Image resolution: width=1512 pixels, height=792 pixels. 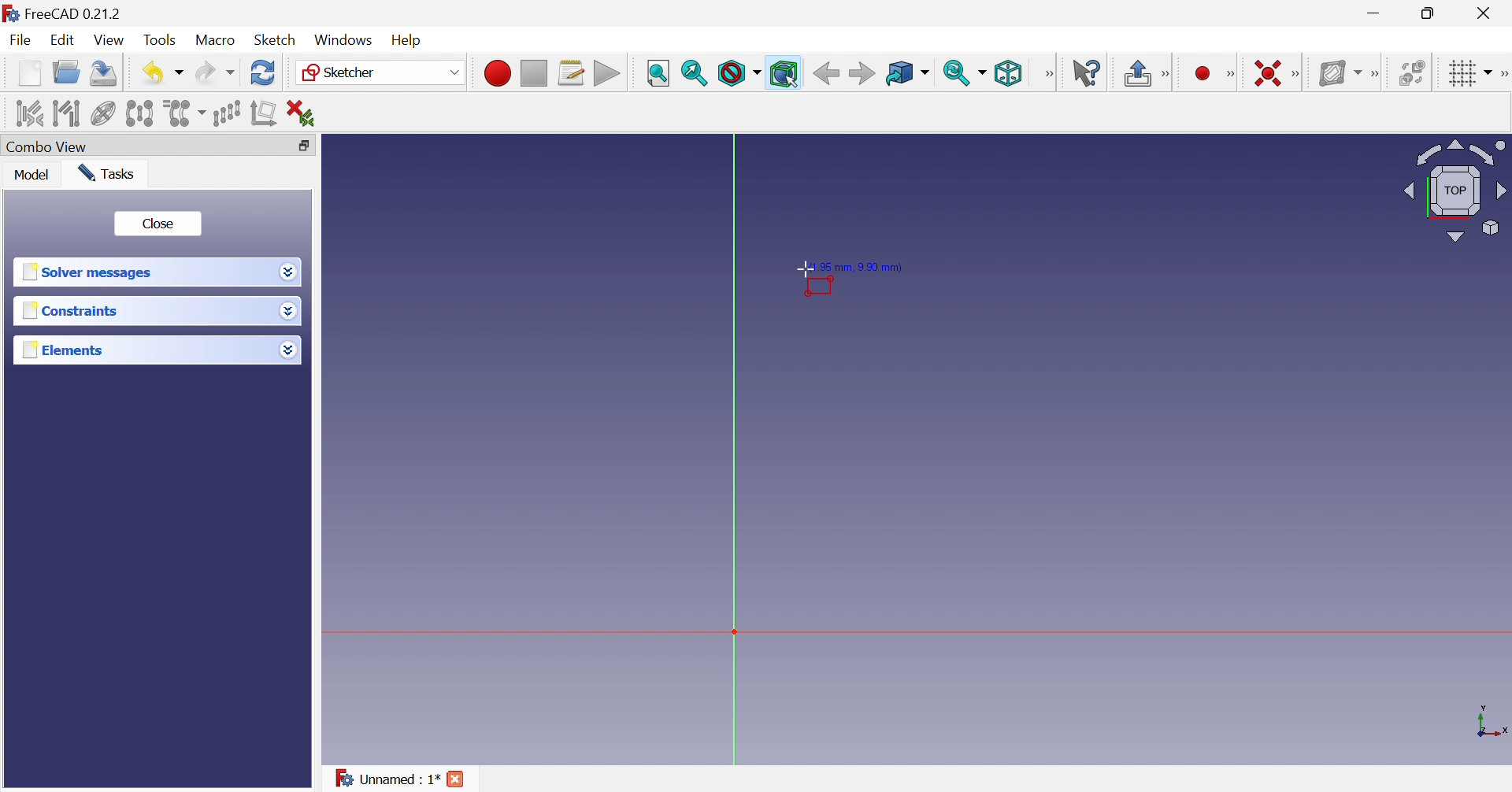 What do you see at coordinates (1414, 72) in the screenshot?
I see `Switch space` at bounding box center [1414, 72].